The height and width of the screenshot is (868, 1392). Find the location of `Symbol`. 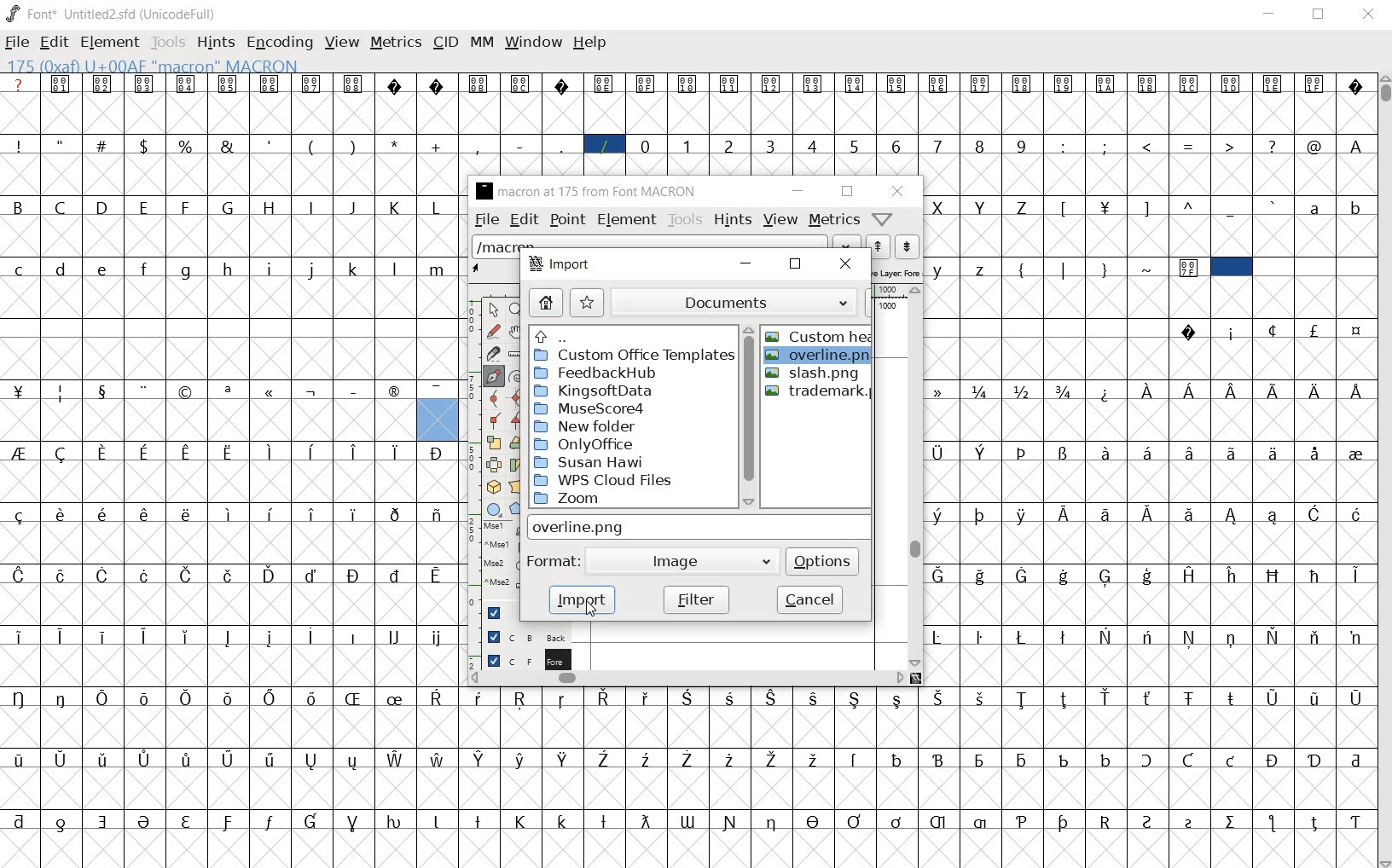

Symbol is located at coordinates (1149, 820).